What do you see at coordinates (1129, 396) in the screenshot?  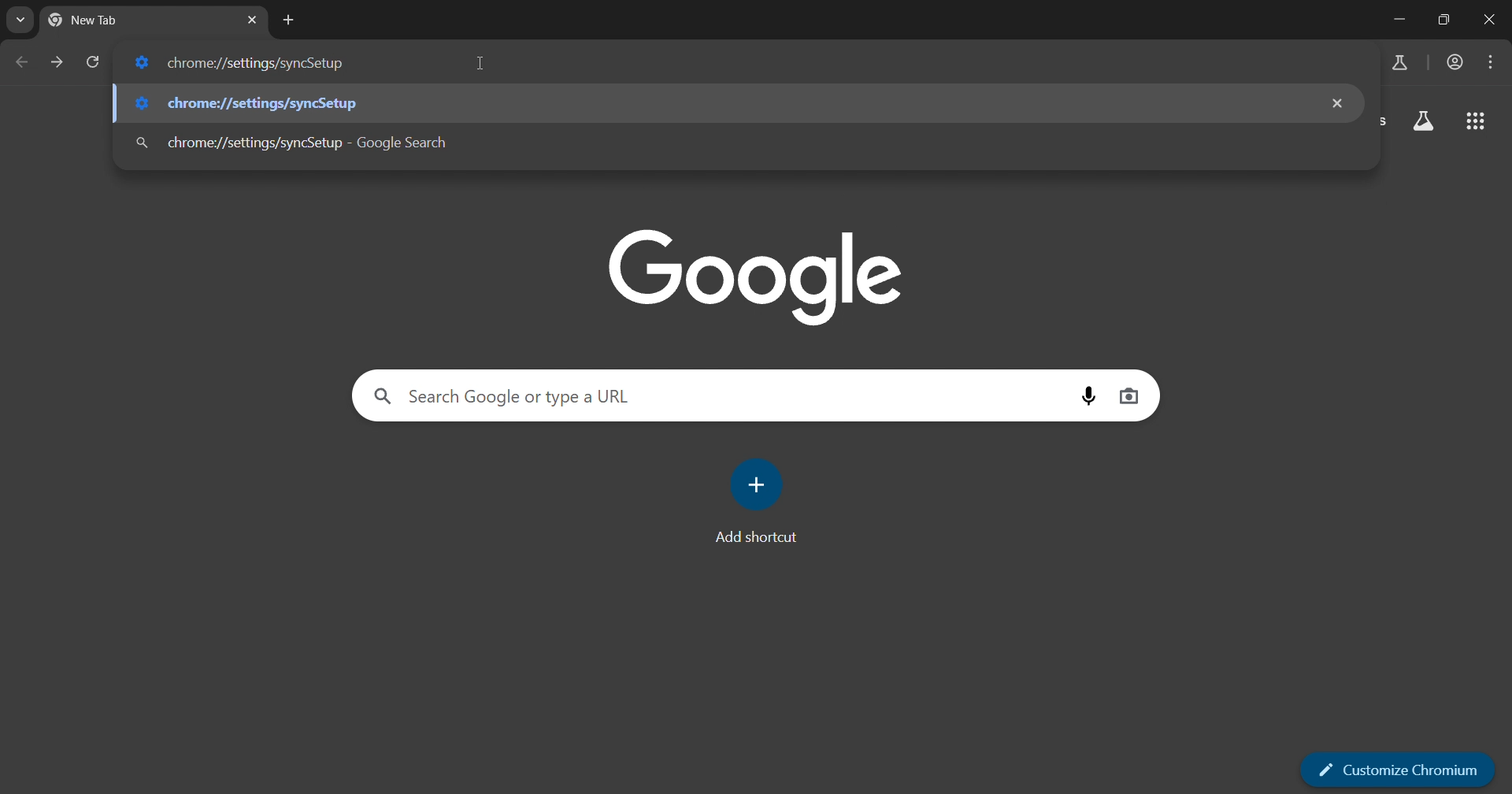 I see `image search` at bounding box center [1129, 396].